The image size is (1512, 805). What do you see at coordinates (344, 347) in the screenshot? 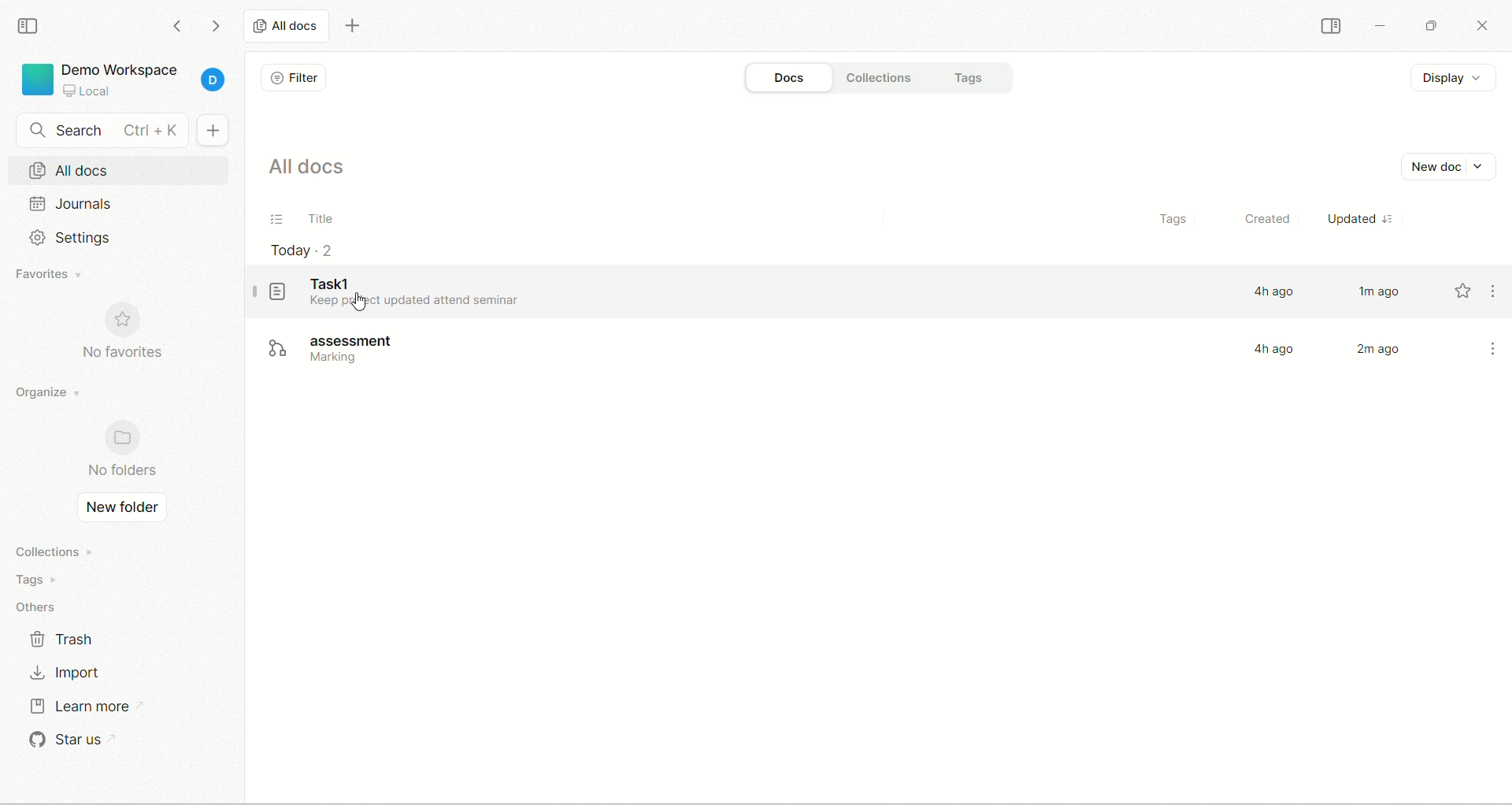
I see `assessment` at bounding box center [344, 347].